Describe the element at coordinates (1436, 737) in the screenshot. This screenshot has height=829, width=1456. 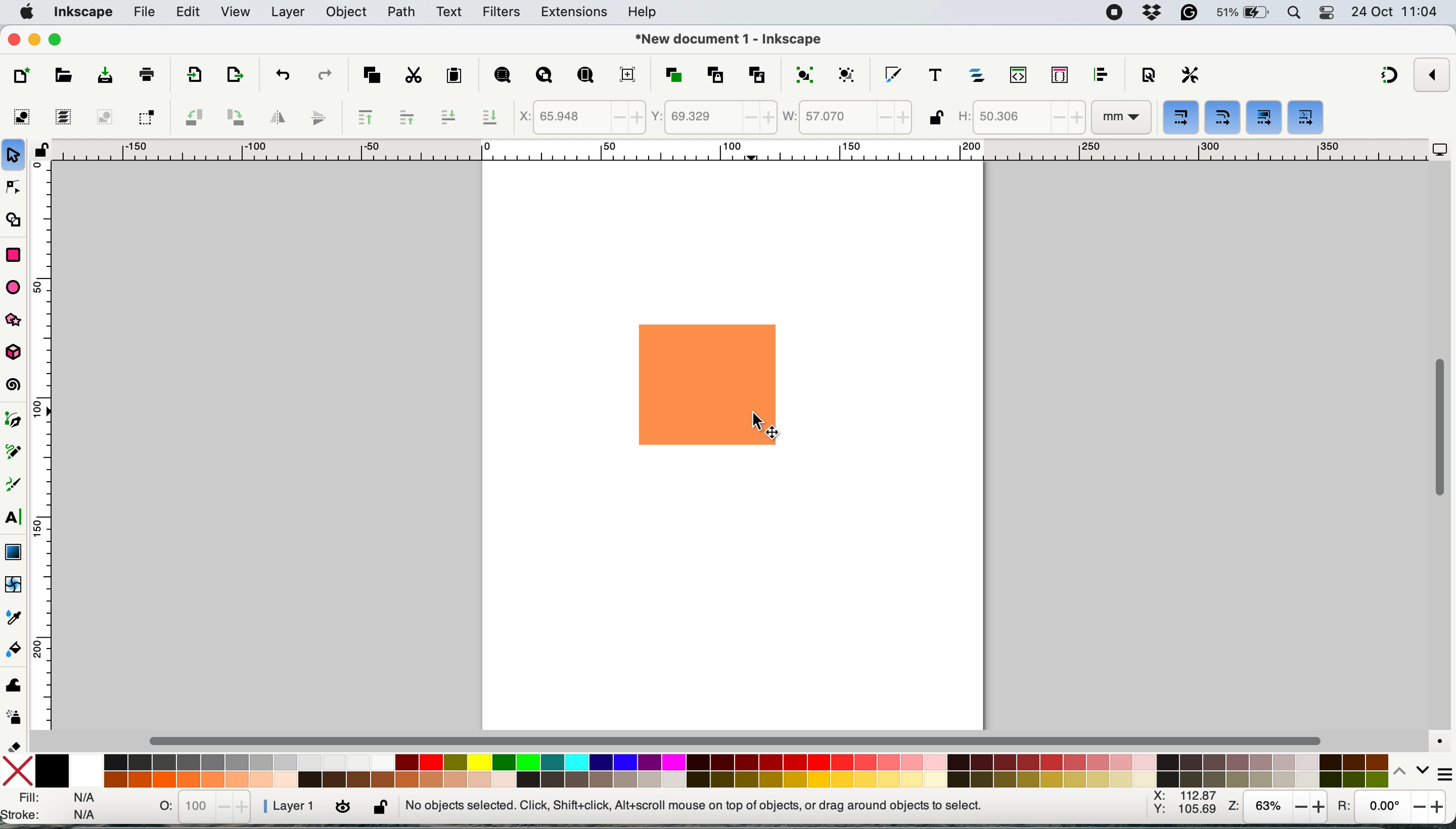
I see `color managed mode` at that location.